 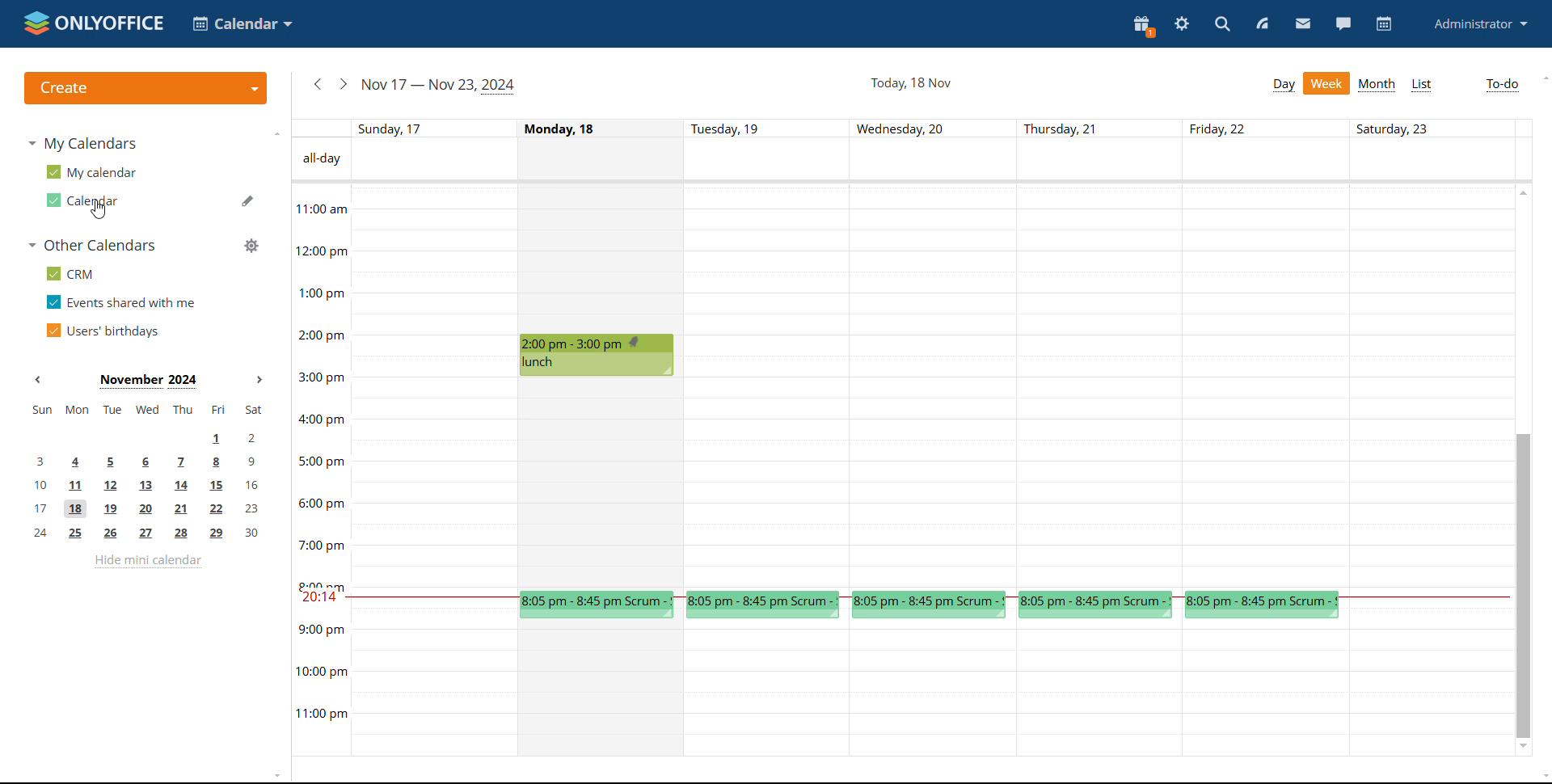 What do you see at coordinates (99, 209) in the screenshot?
I see `cursor` at bounding box center [99, 209].